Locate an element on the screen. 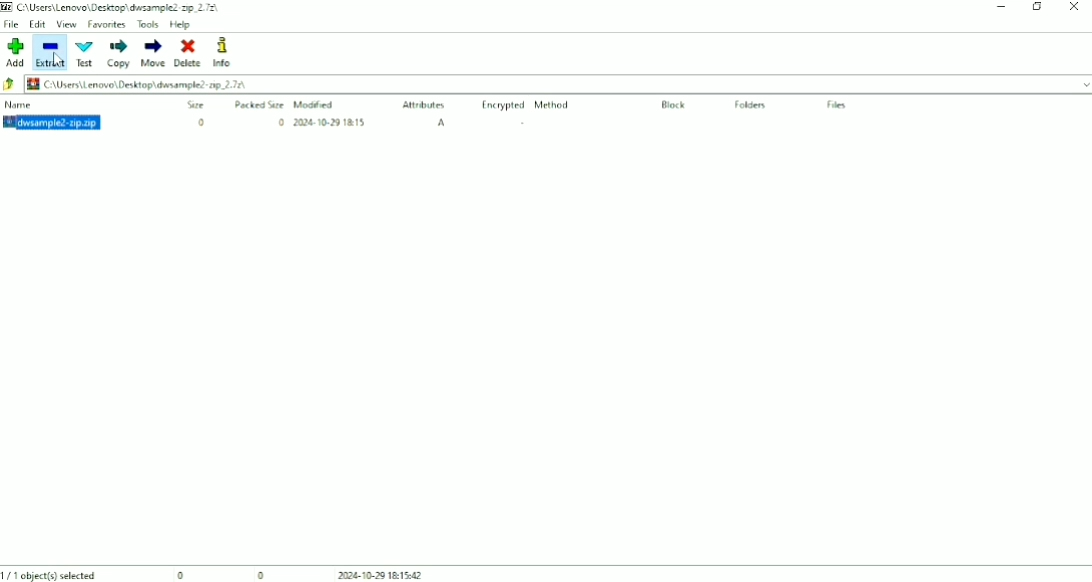  Attributes is located at coordinates (425, 106).